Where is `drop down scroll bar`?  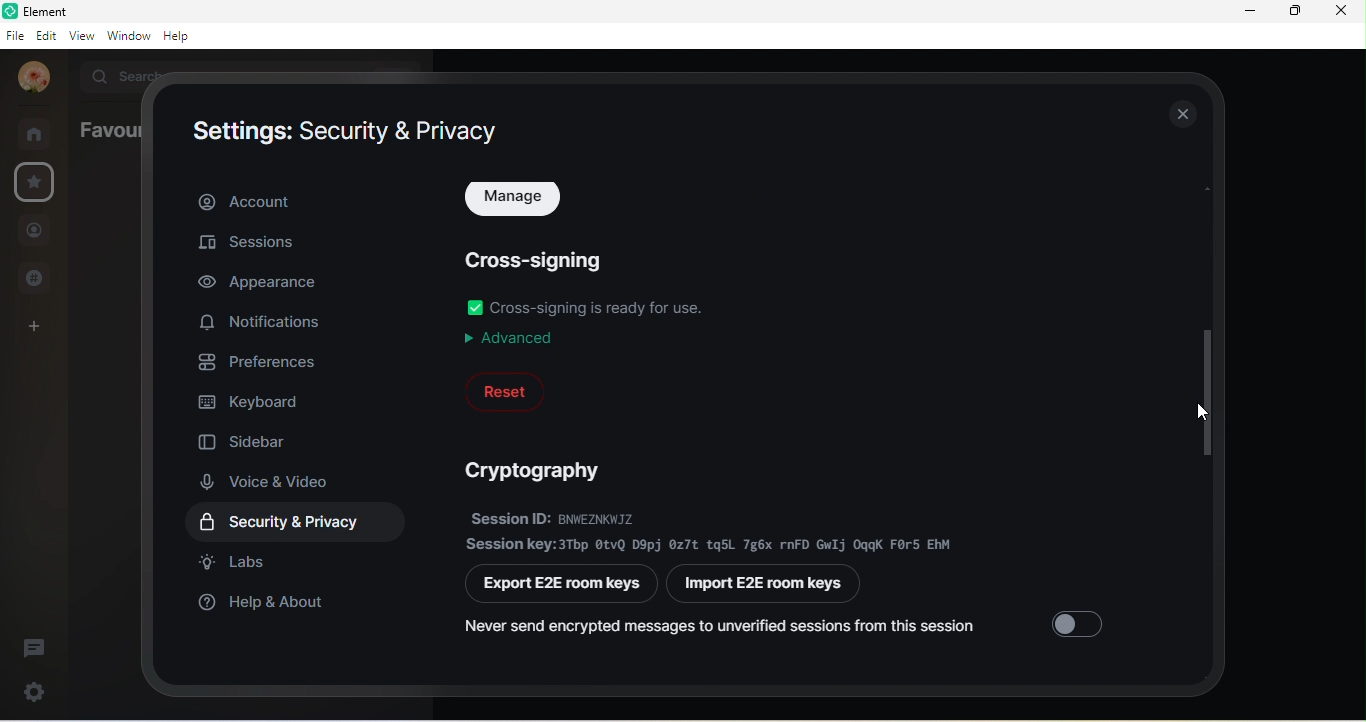 drop down scroll bar is located at coordinates (1204, 390).